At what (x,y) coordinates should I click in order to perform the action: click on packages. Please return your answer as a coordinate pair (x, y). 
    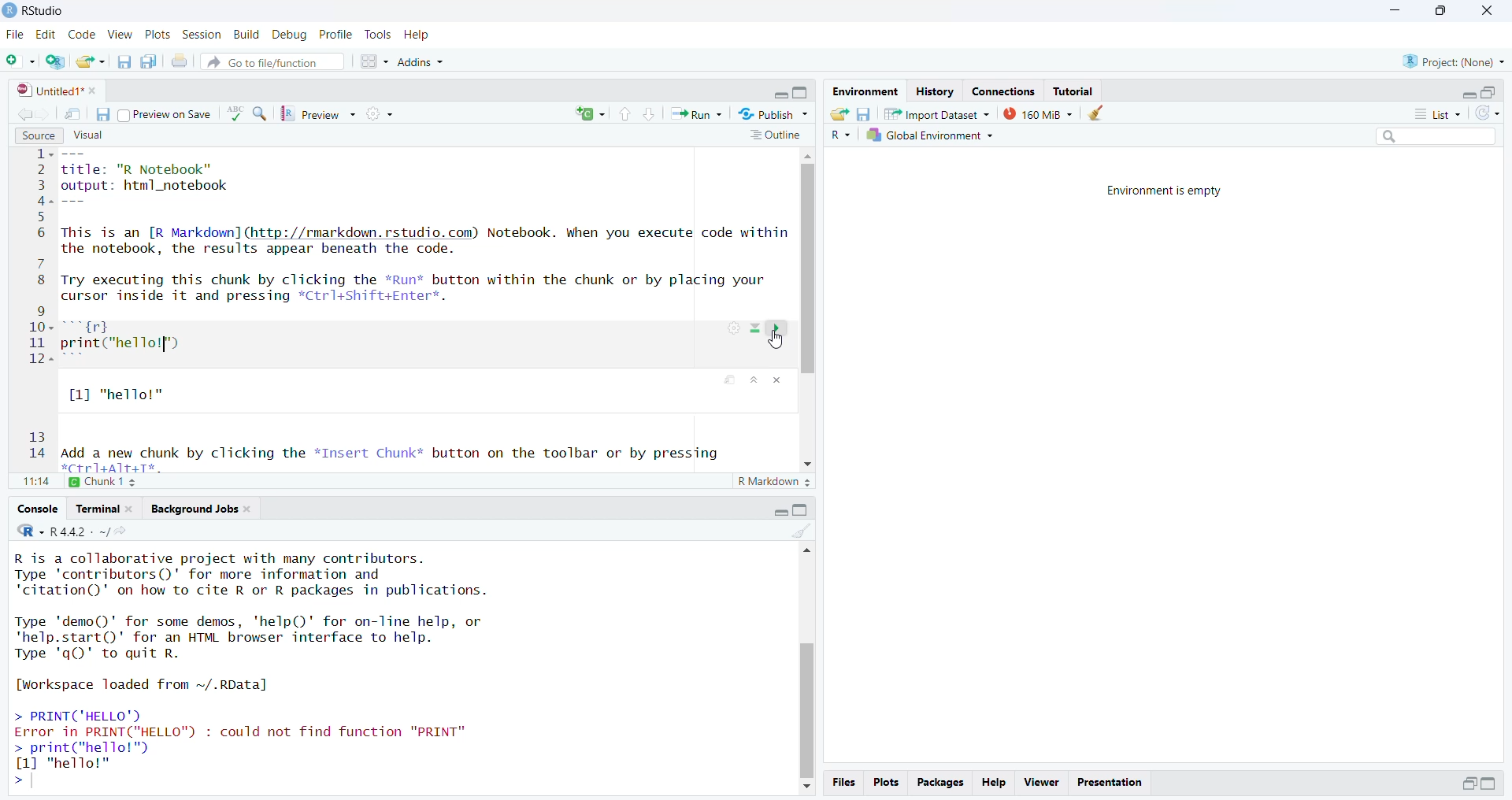
    Looking at the image, I should click on (941, 782).